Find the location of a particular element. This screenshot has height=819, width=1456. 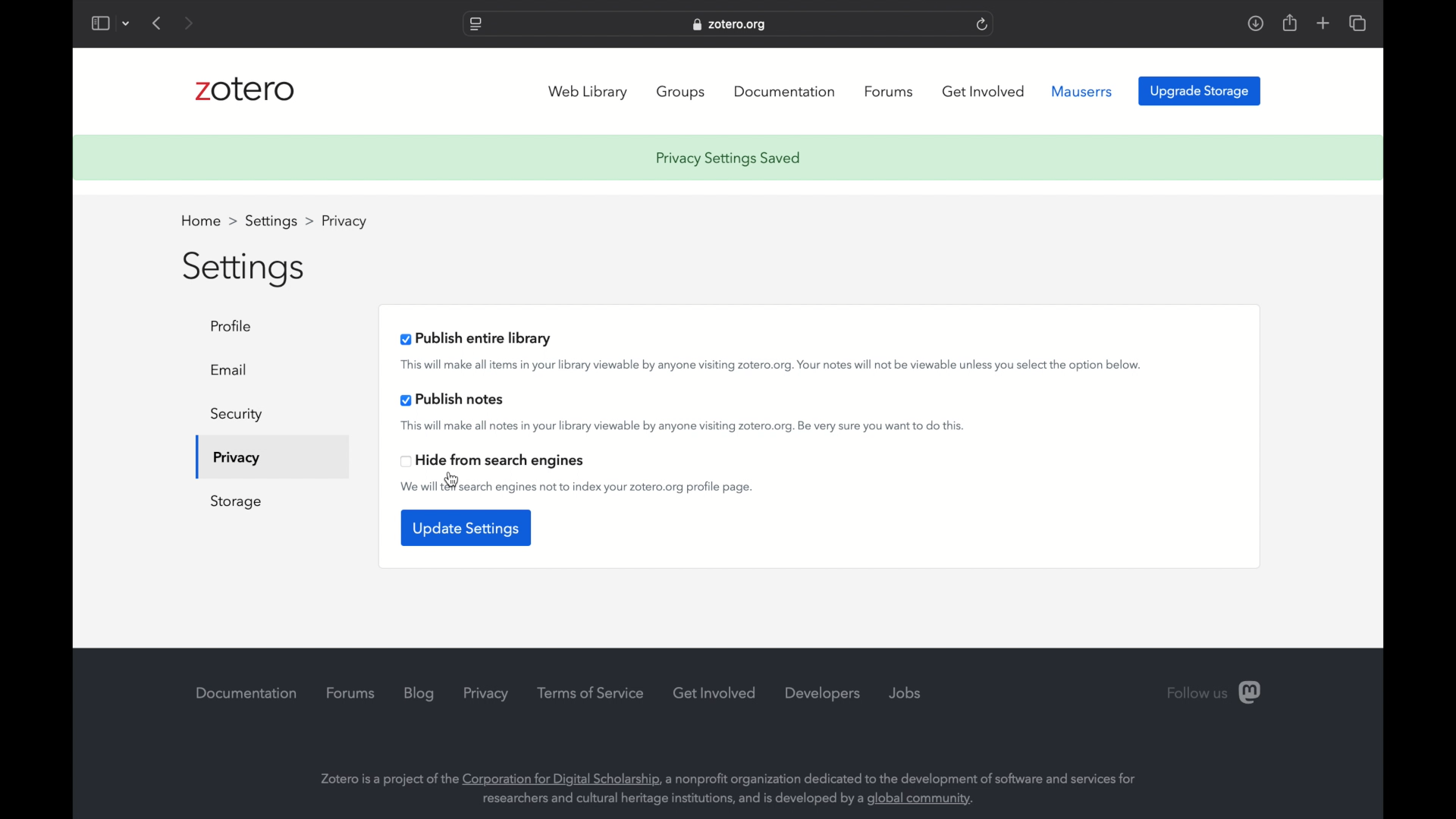

show tab overview is located at coordinates (1357, 23).